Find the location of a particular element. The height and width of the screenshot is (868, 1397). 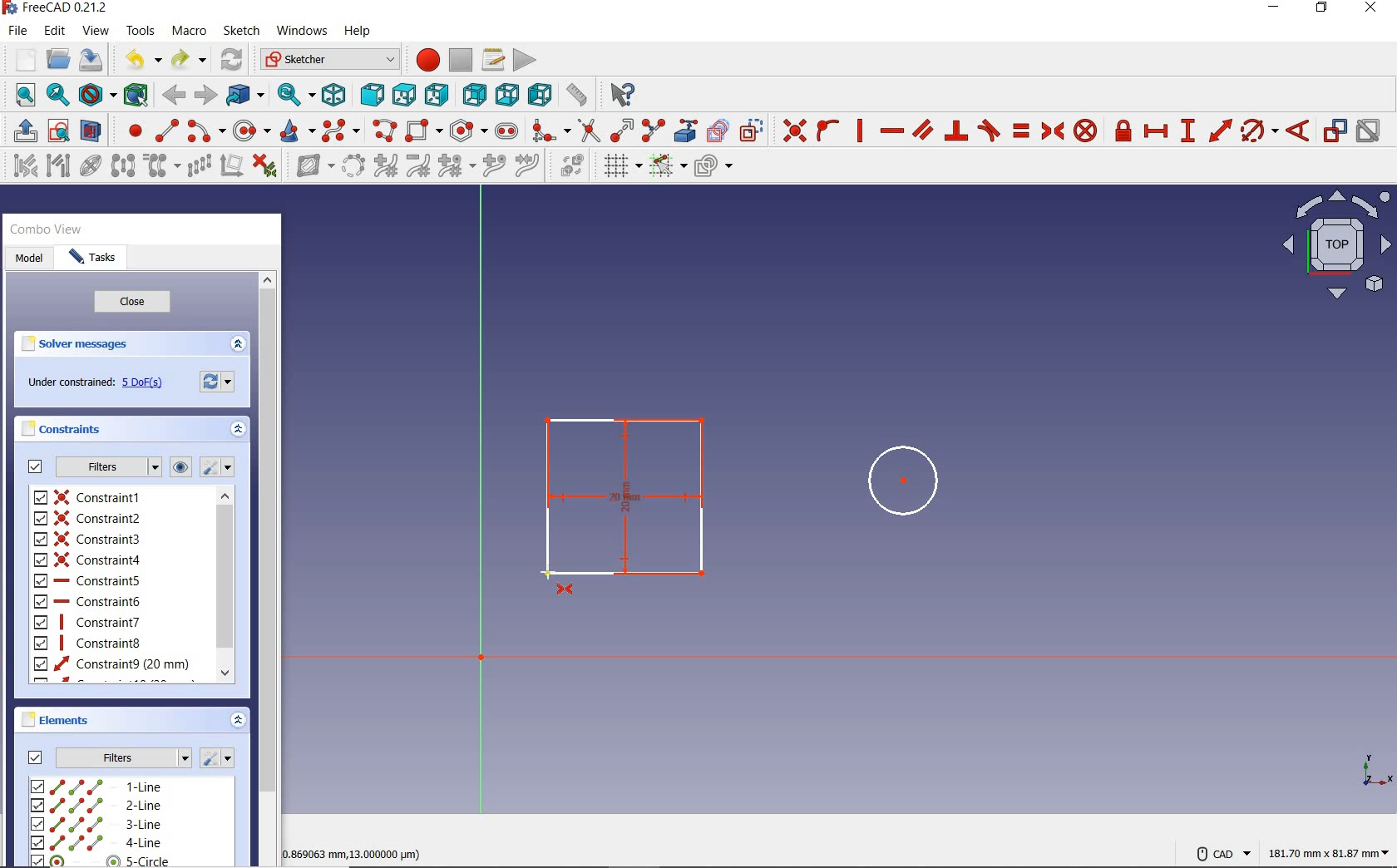

2-LINE is located at coordinates (96, 806).